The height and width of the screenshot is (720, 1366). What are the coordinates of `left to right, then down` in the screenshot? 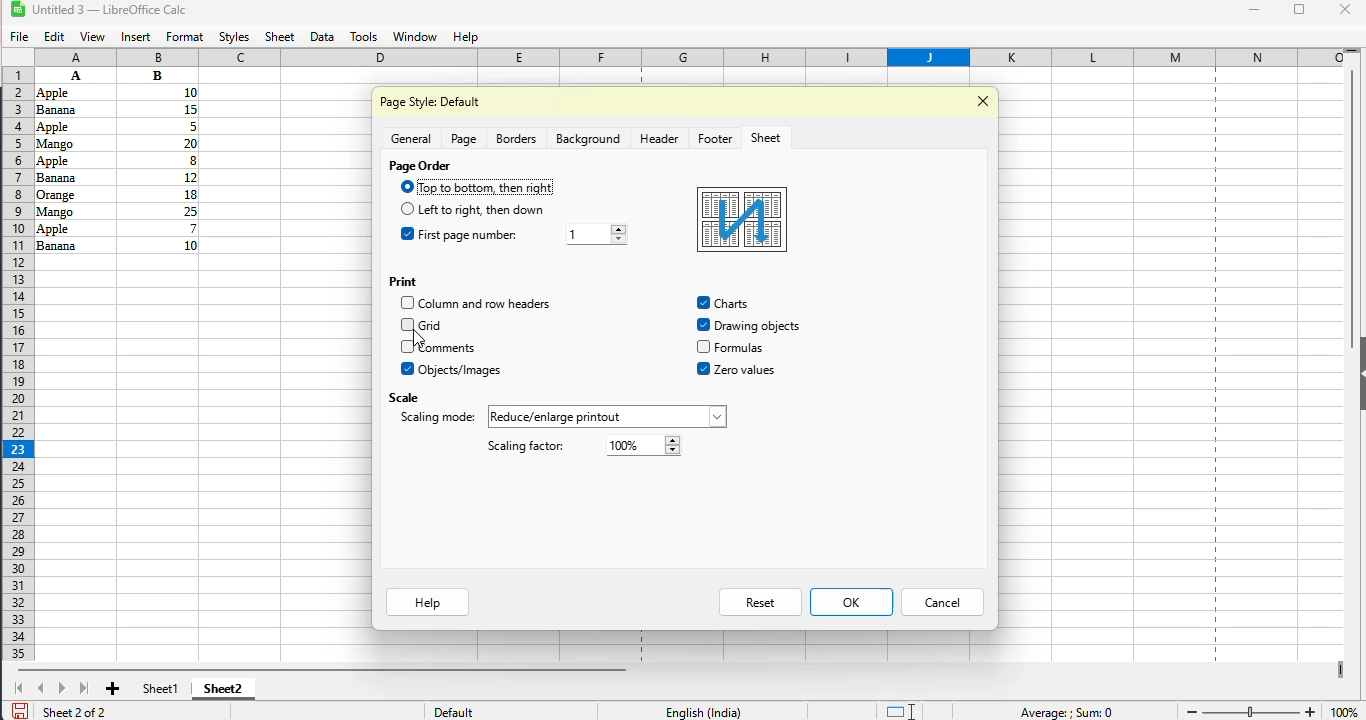 It's located at (482, 209).